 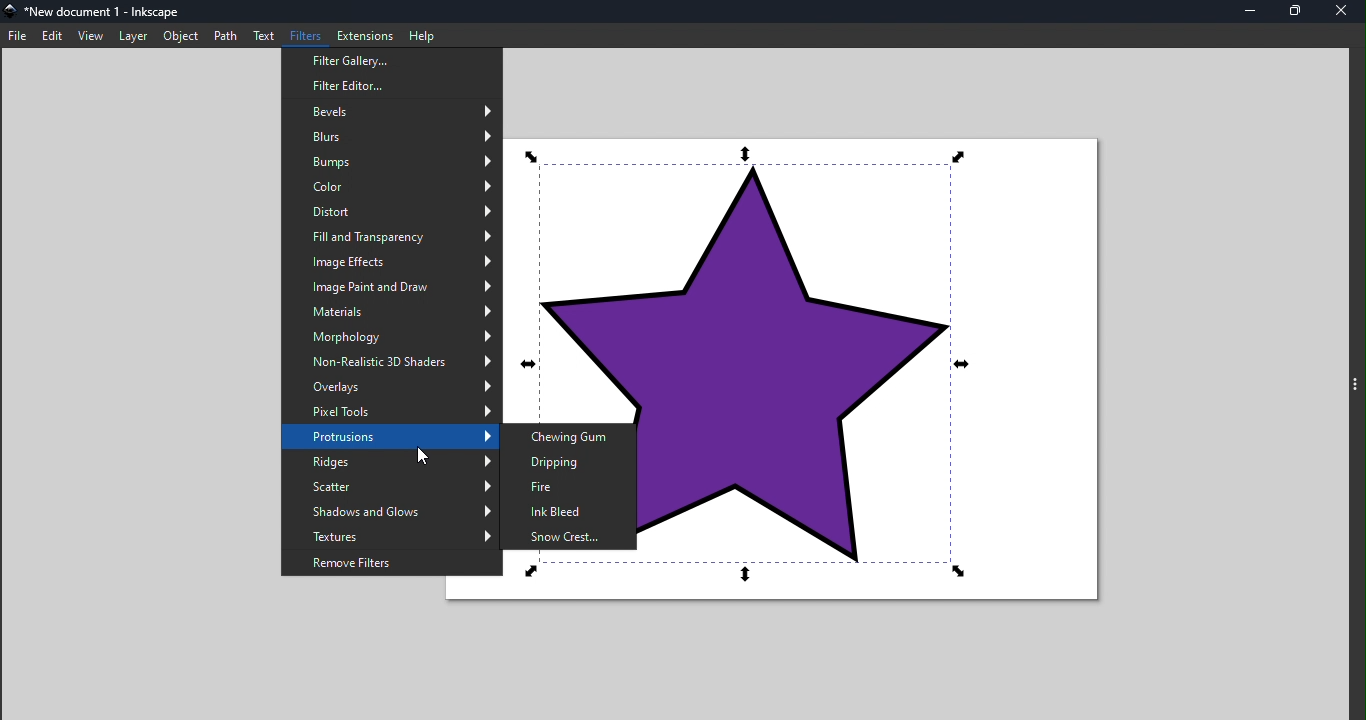 What do you see at coordinates (90, 35) in the screenshot?
I see `View` at bounding box center [90, 35].